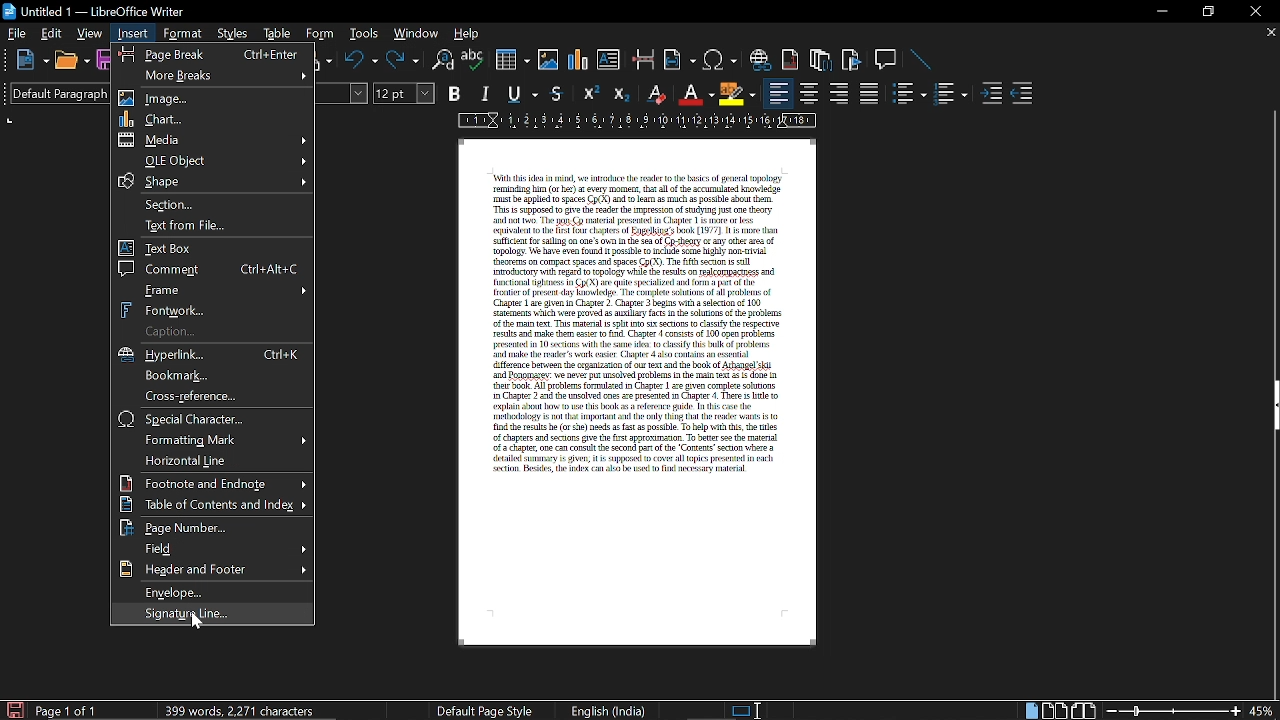  What do you see at coordinates (75, 710) in the screenshot?
I see ` page 1 of 1` at bounding box center [75, 710].